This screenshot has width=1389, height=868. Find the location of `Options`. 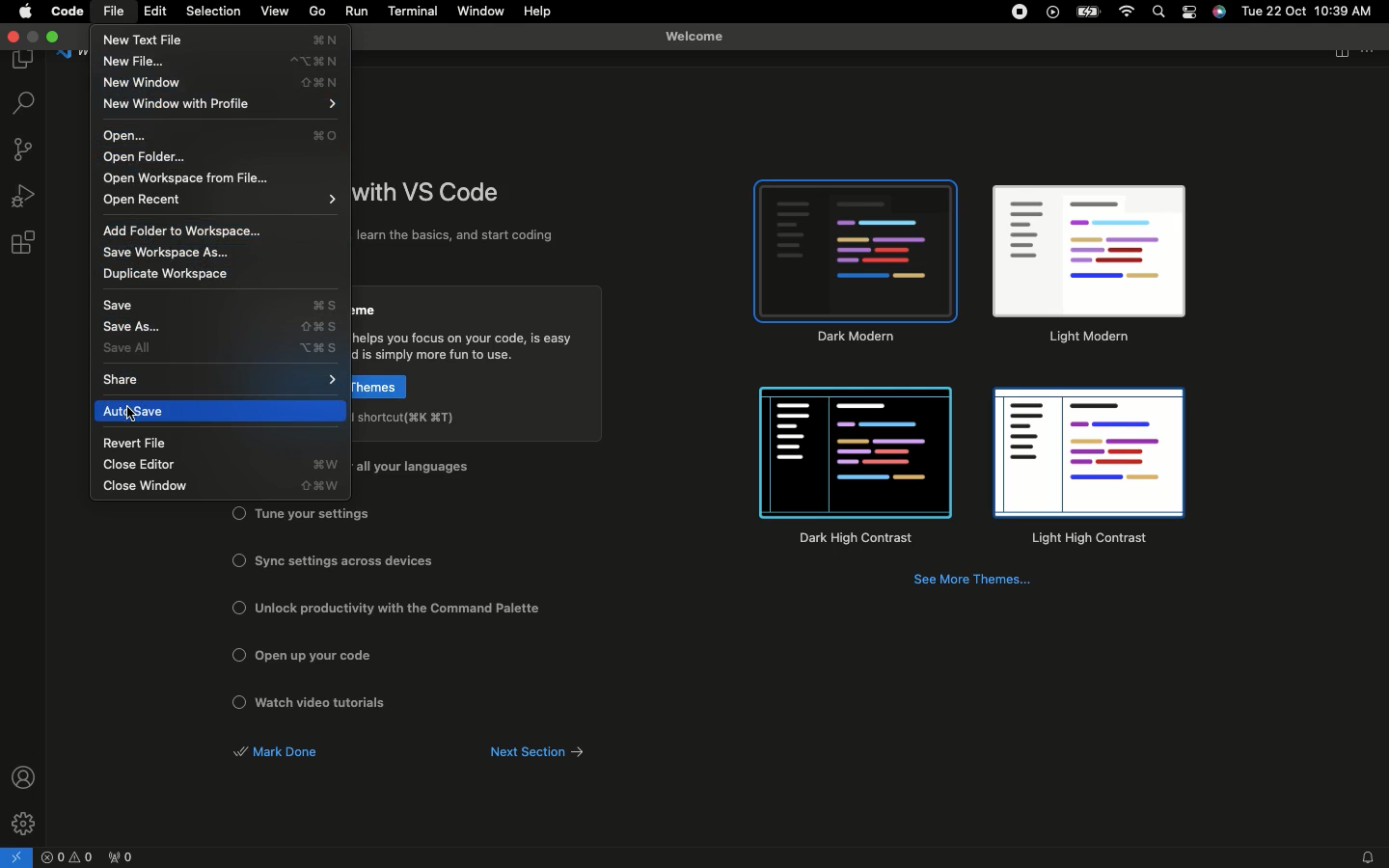

Options is located at coordinates (1190, 14).